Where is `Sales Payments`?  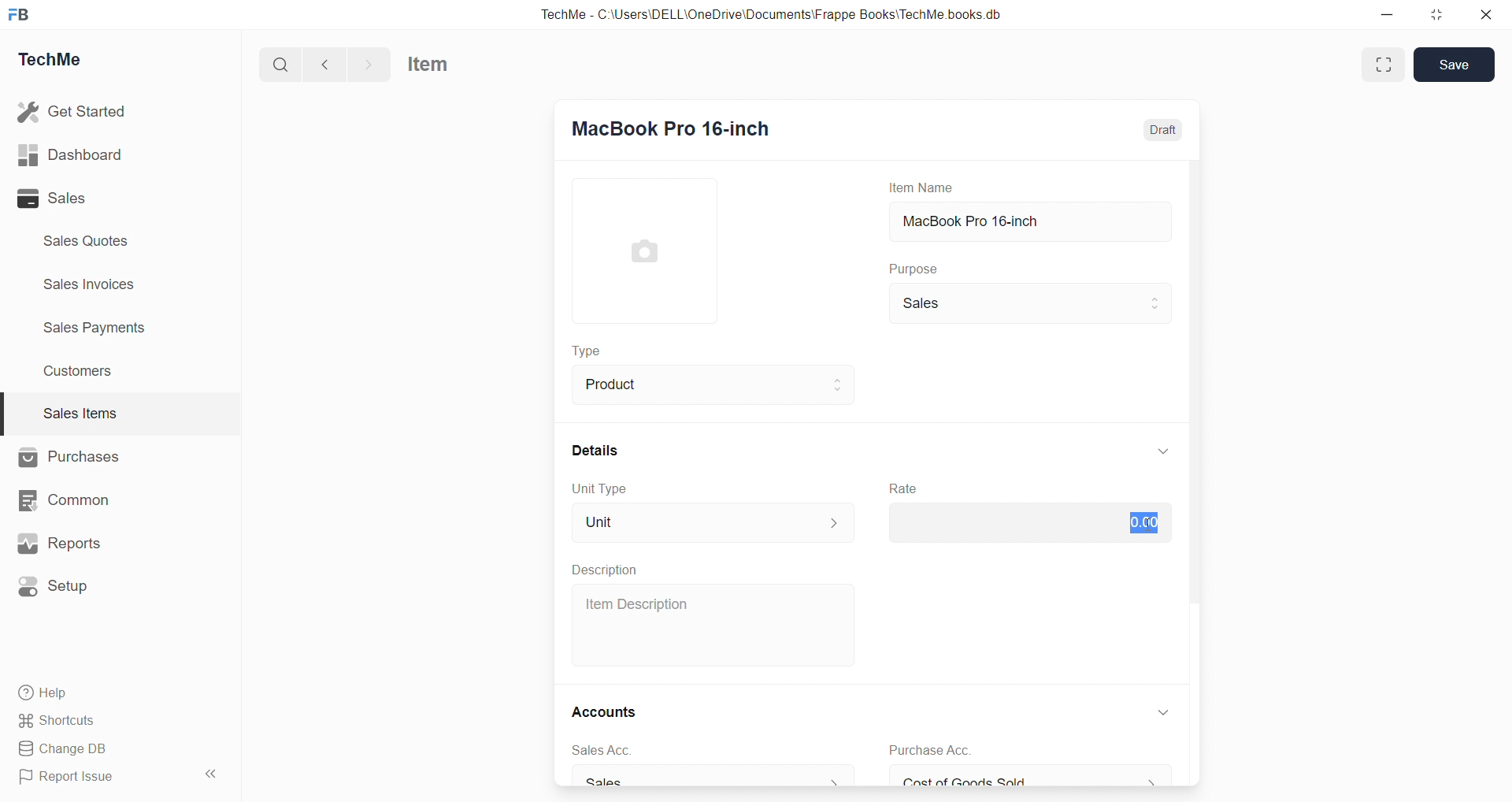 Sales Payments is located at coordinates (96, 328).